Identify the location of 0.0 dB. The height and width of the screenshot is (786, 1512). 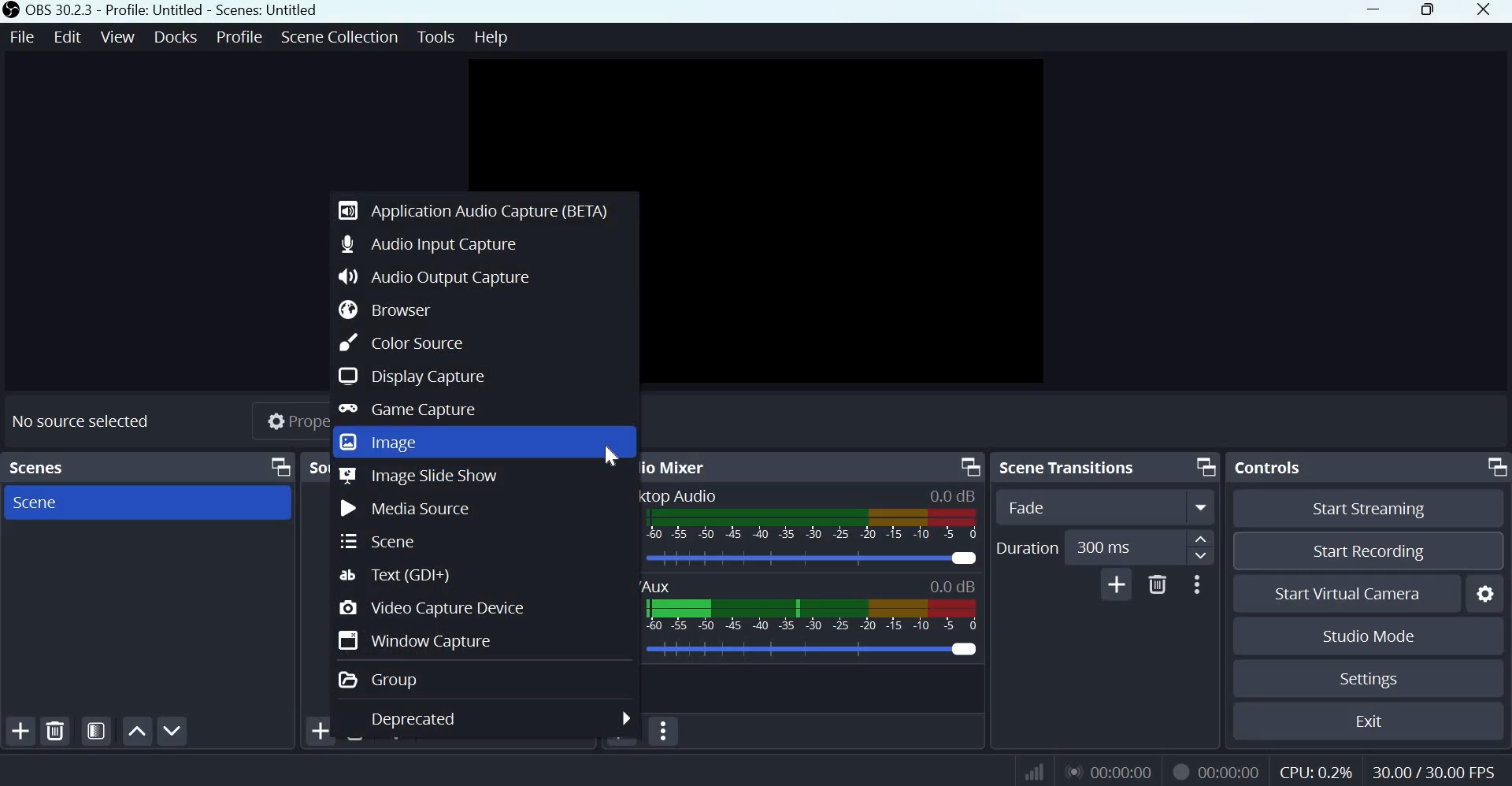
(953, 588).